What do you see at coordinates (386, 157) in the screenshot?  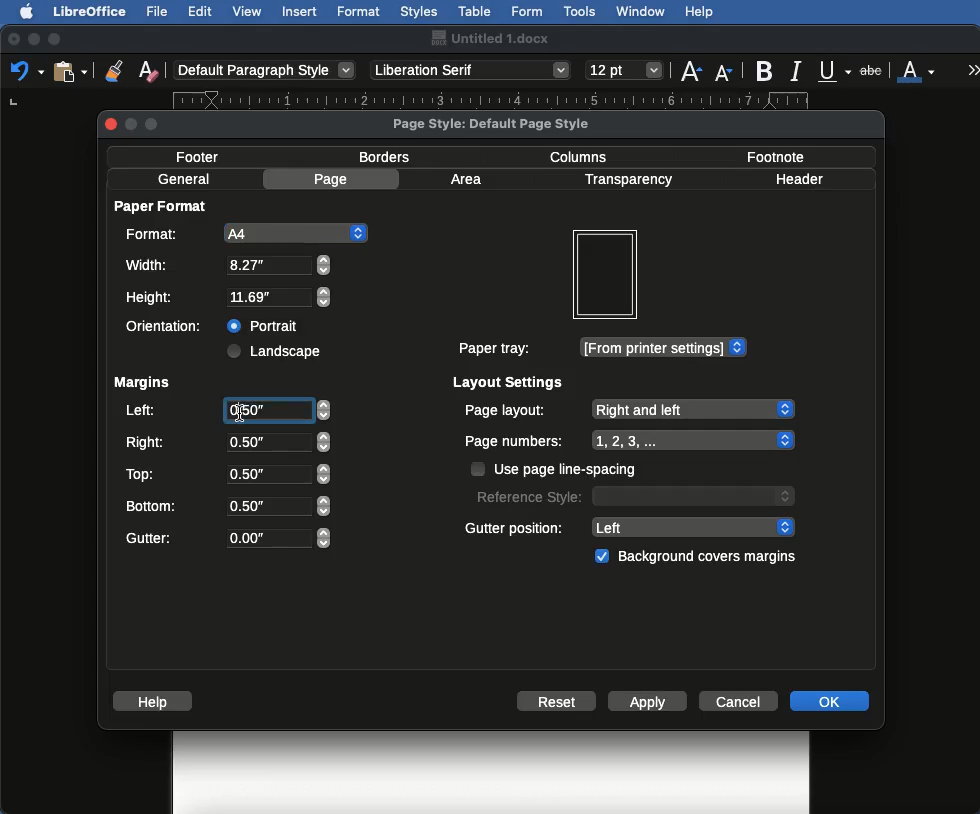 I see `Borders` at bounding box center [386, 157].